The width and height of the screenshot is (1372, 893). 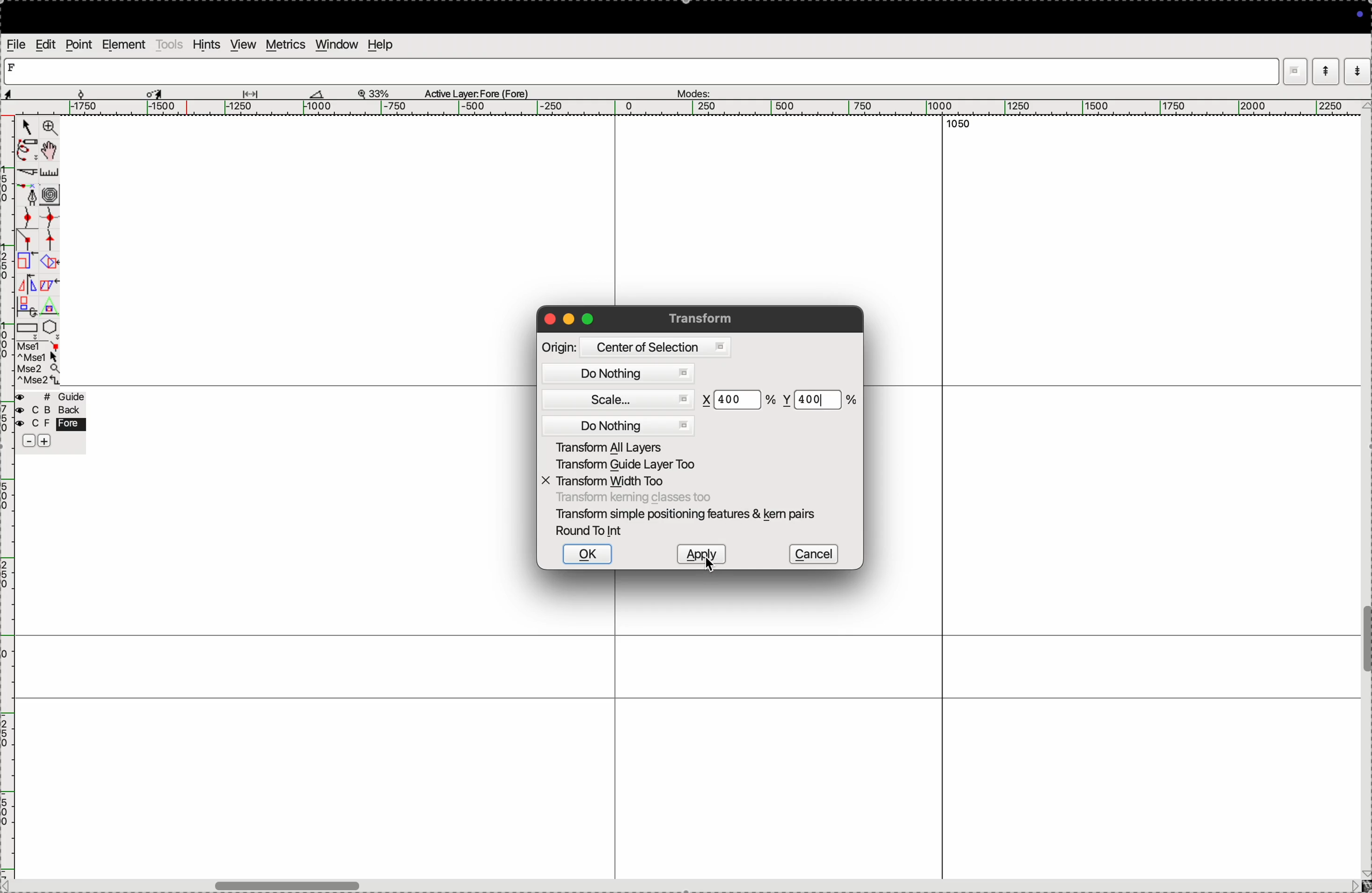 What do you see at coordinates (39, 363) in the screenshot?
I see `mse ` at bounding box center [39, 363].